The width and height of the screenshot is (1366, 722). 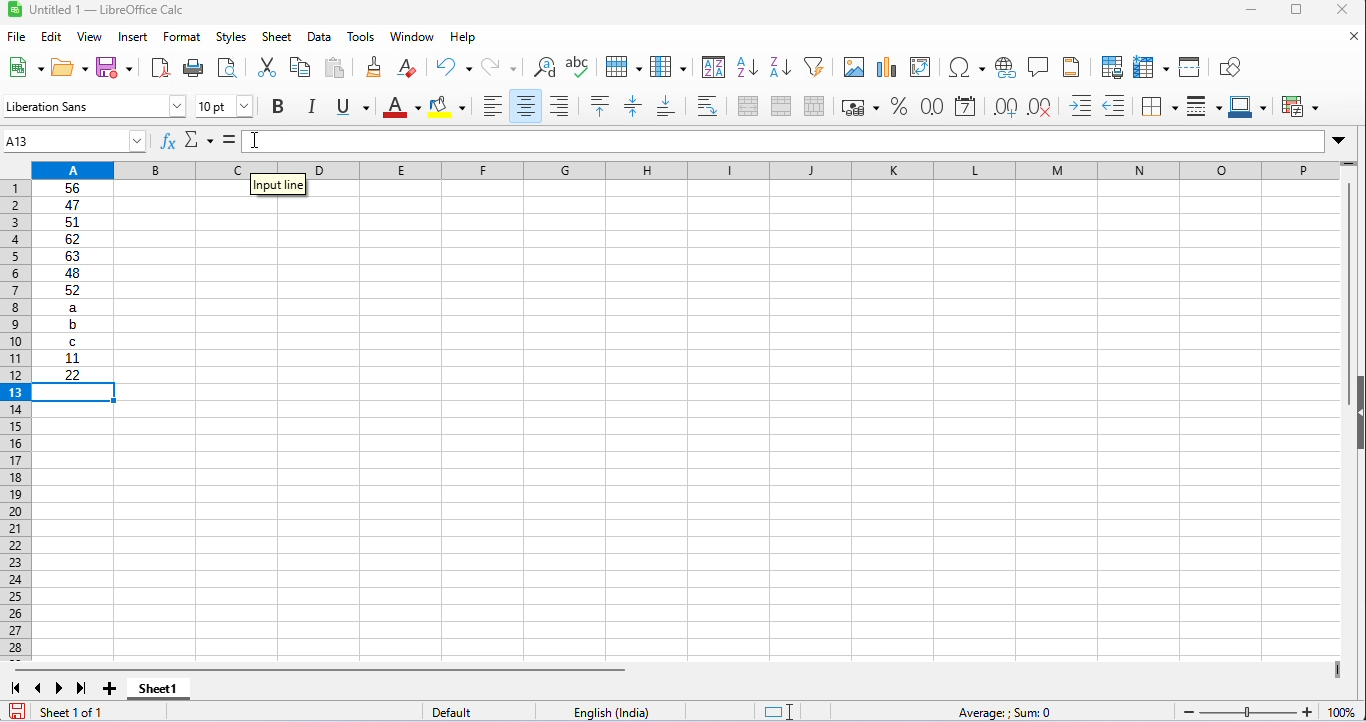 What do you see at coordinates (1150, 67) in the screenshot?
I see `freeze rows and columns` at bounding box center [1150, 67].